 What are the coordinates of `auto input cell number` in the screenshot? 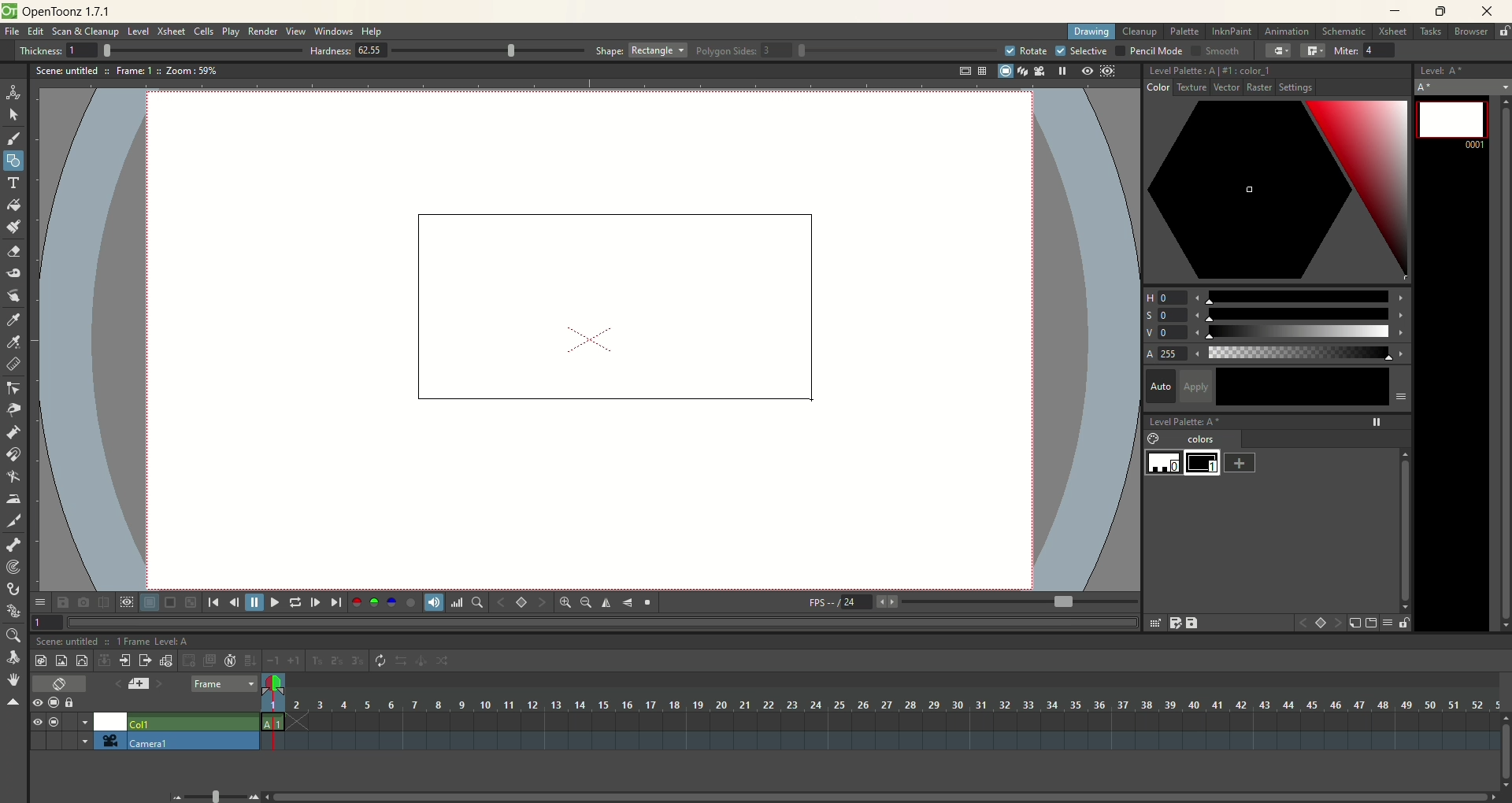 It's located at (231, 661).